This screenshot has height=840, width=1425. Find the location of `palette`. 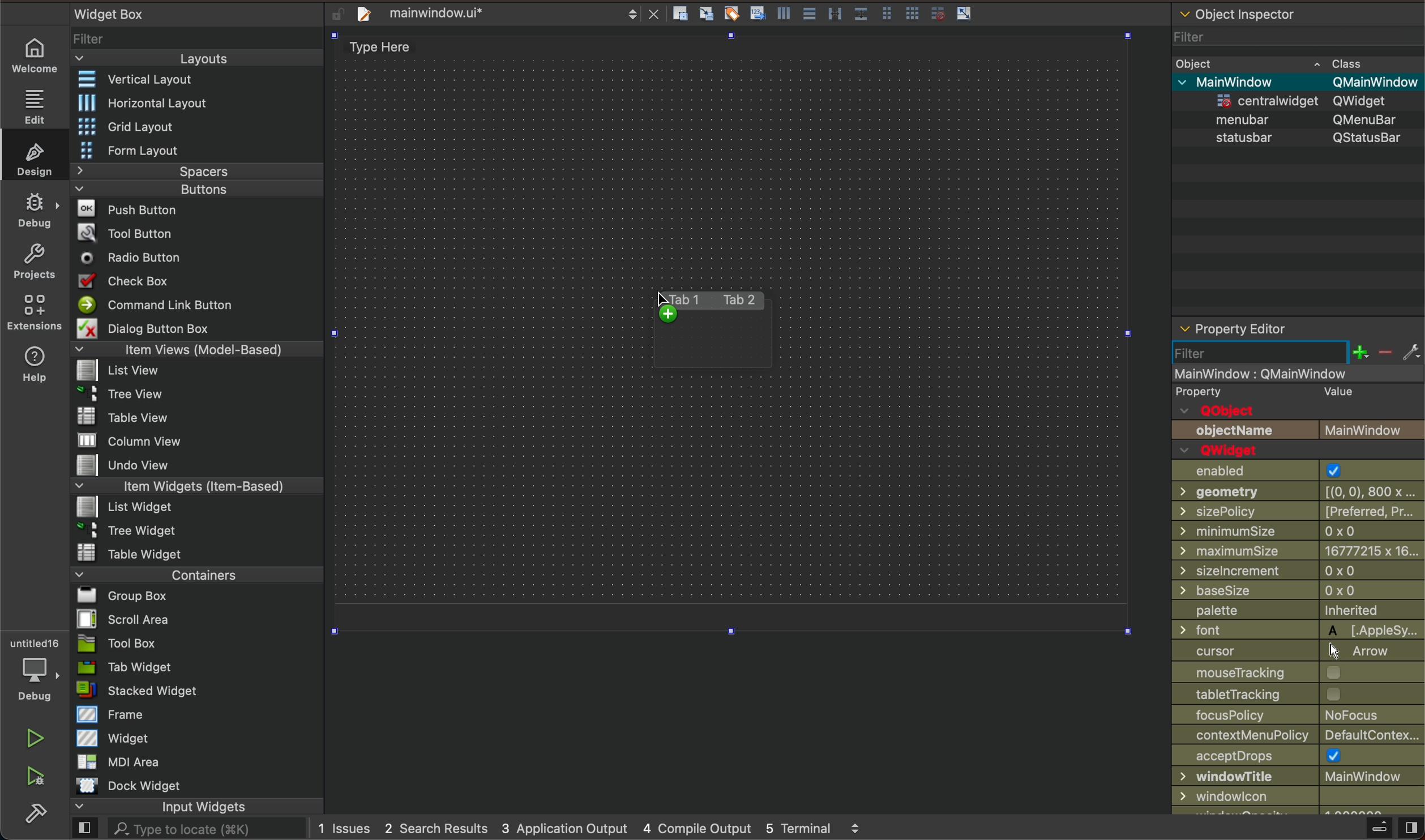

palette is located at coordinates (1299, 610).